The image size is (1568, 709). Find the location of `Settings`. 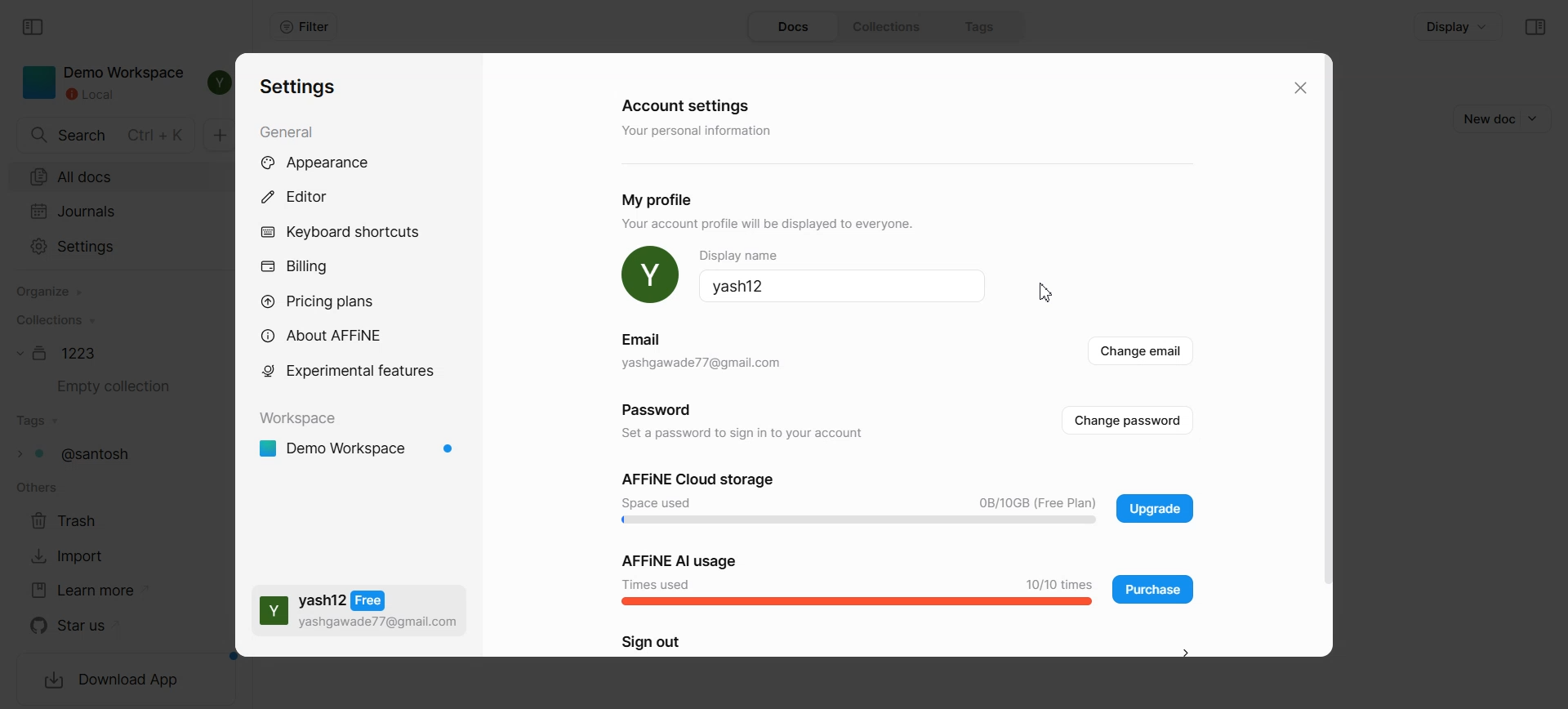

Settings is located at coordinates (299, 87).